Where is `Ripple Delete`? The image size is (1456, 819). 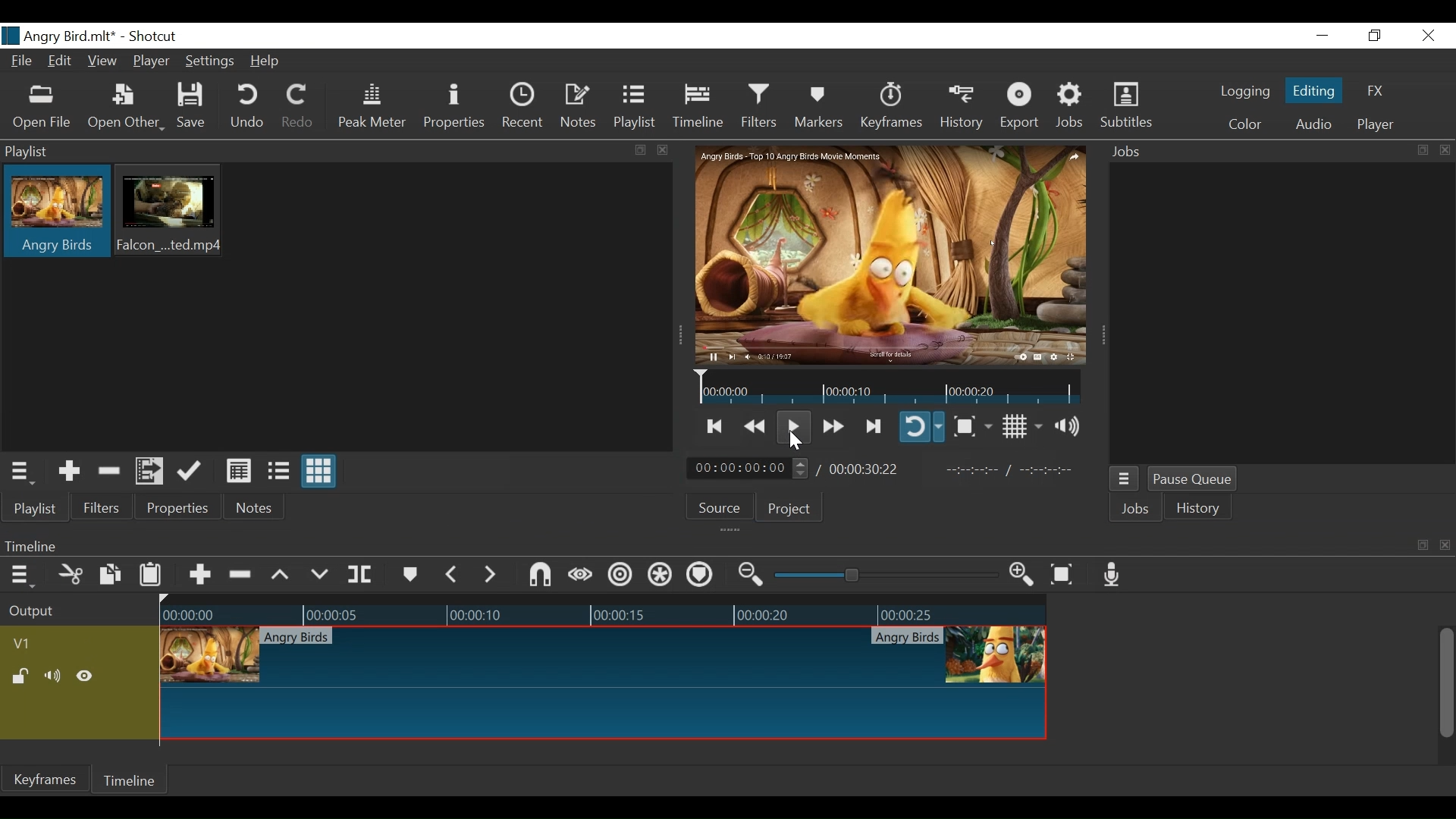 Ripple Delete is located at coordinates (242, 573).